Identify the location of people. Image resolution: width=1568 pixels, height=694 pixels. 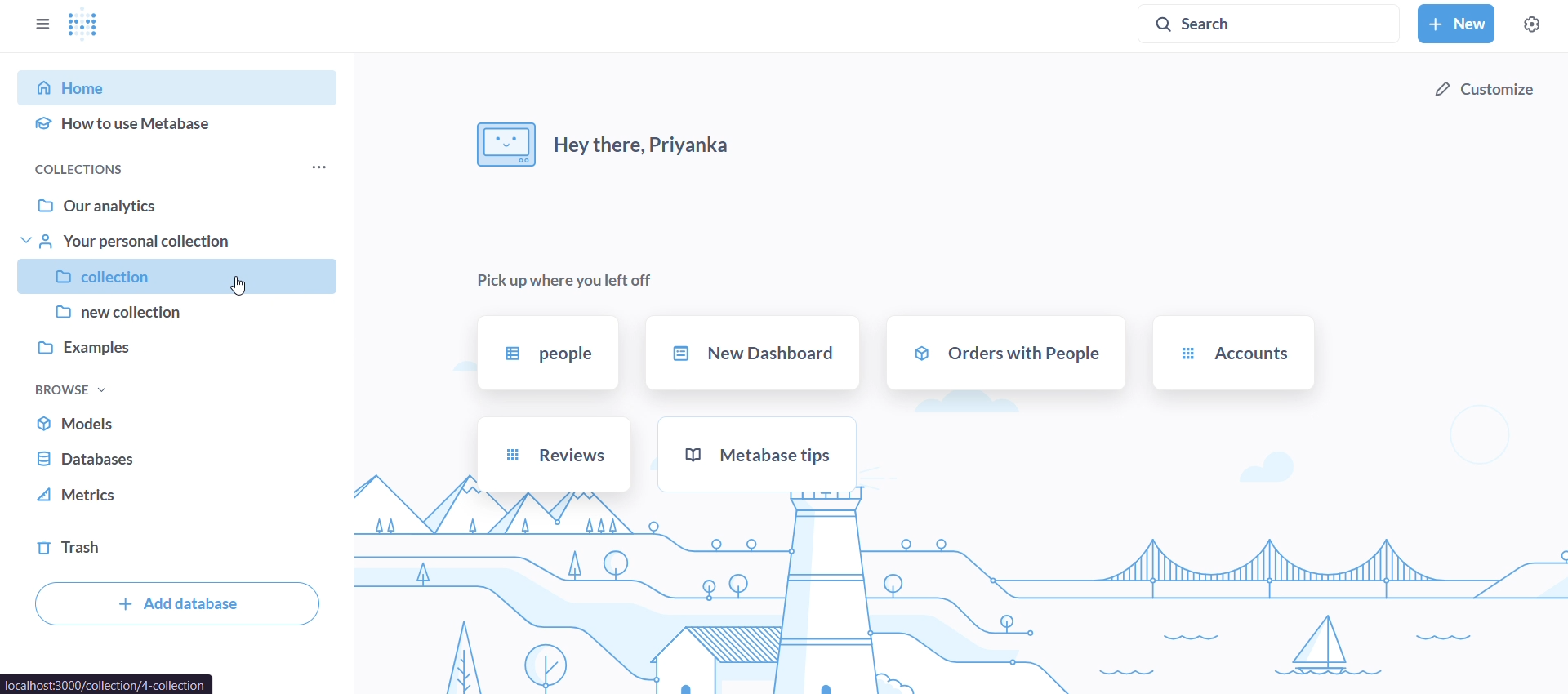
(546, 354).